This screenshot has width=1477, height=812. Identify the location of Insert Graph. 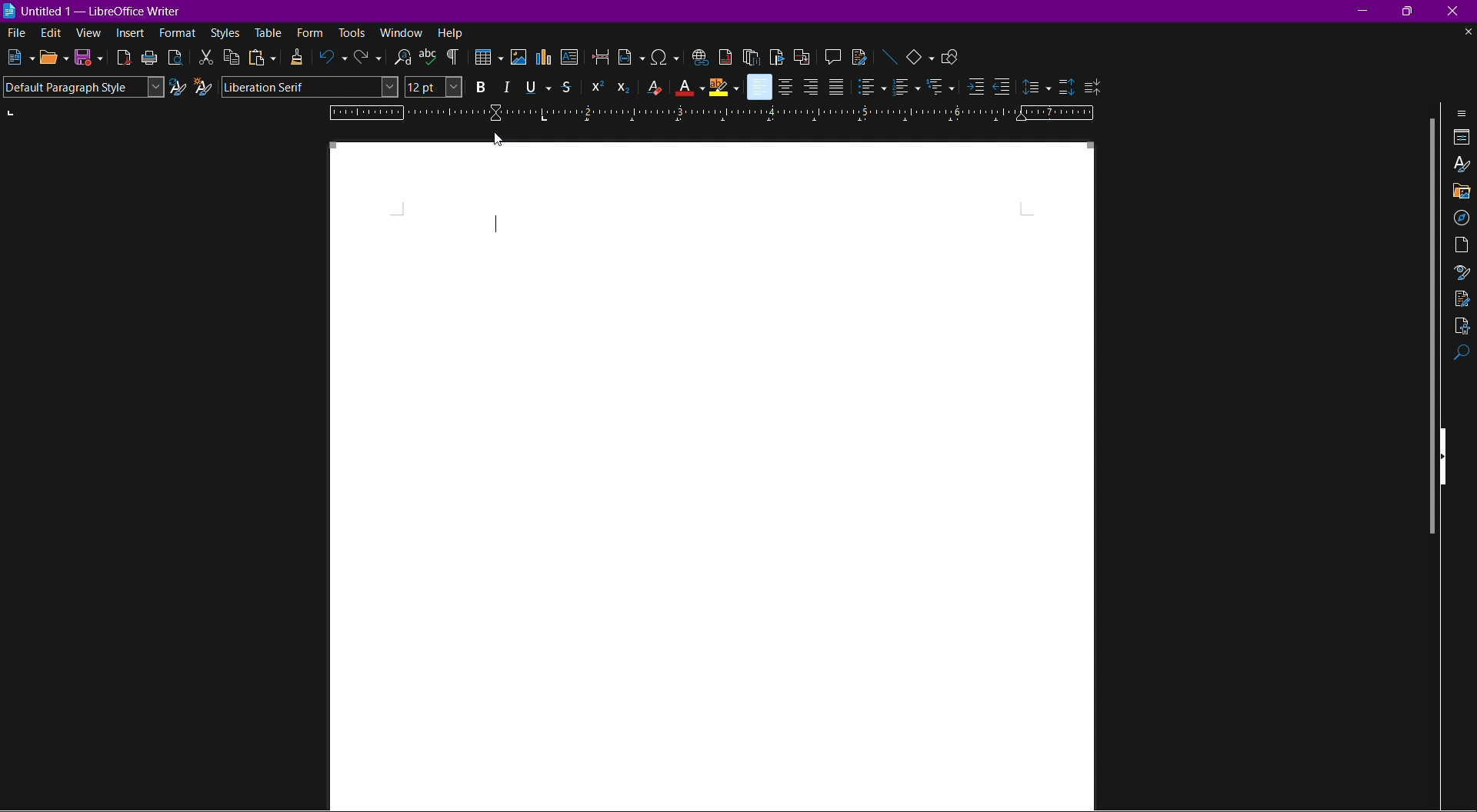
(545, 59).